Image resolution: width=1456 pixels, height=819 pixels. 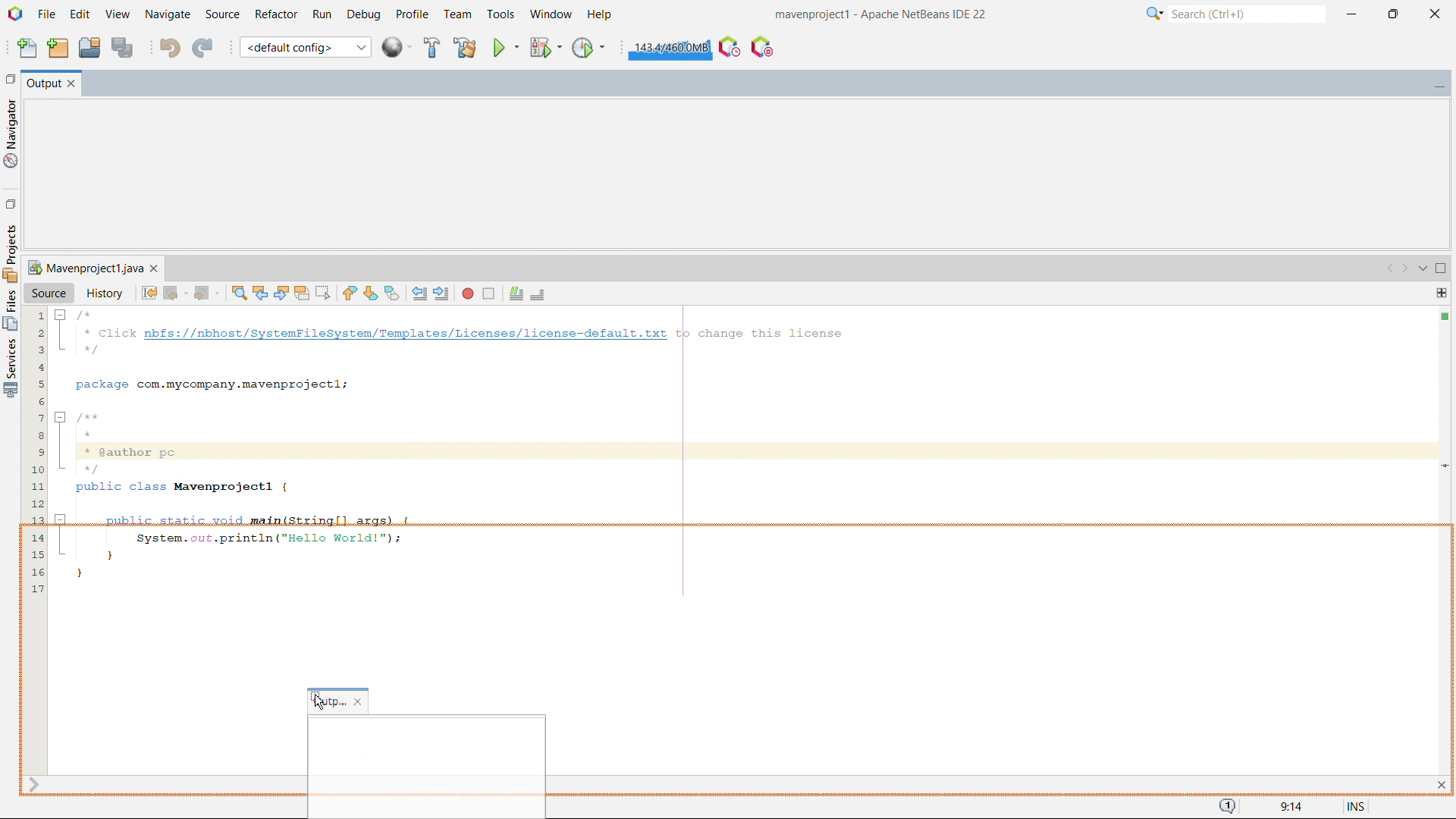 What do you see at coordinates (468, 293) in the screenshot?
I see `start macro recording ` at bounding box center [468, 293].